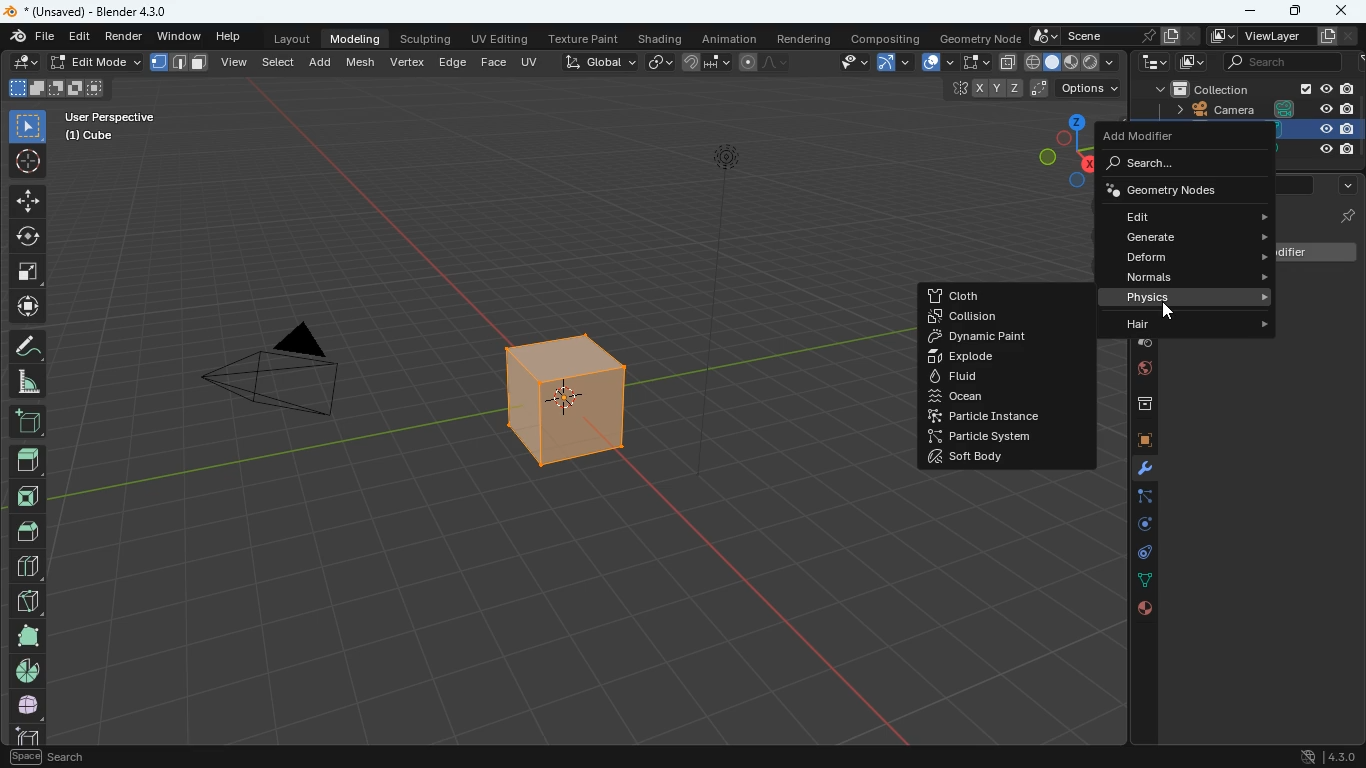 The height and width of the screenshot is (768, 1366). Describe the element at coordinates (1176, 164) in the screenshot. I see `search` at that location.